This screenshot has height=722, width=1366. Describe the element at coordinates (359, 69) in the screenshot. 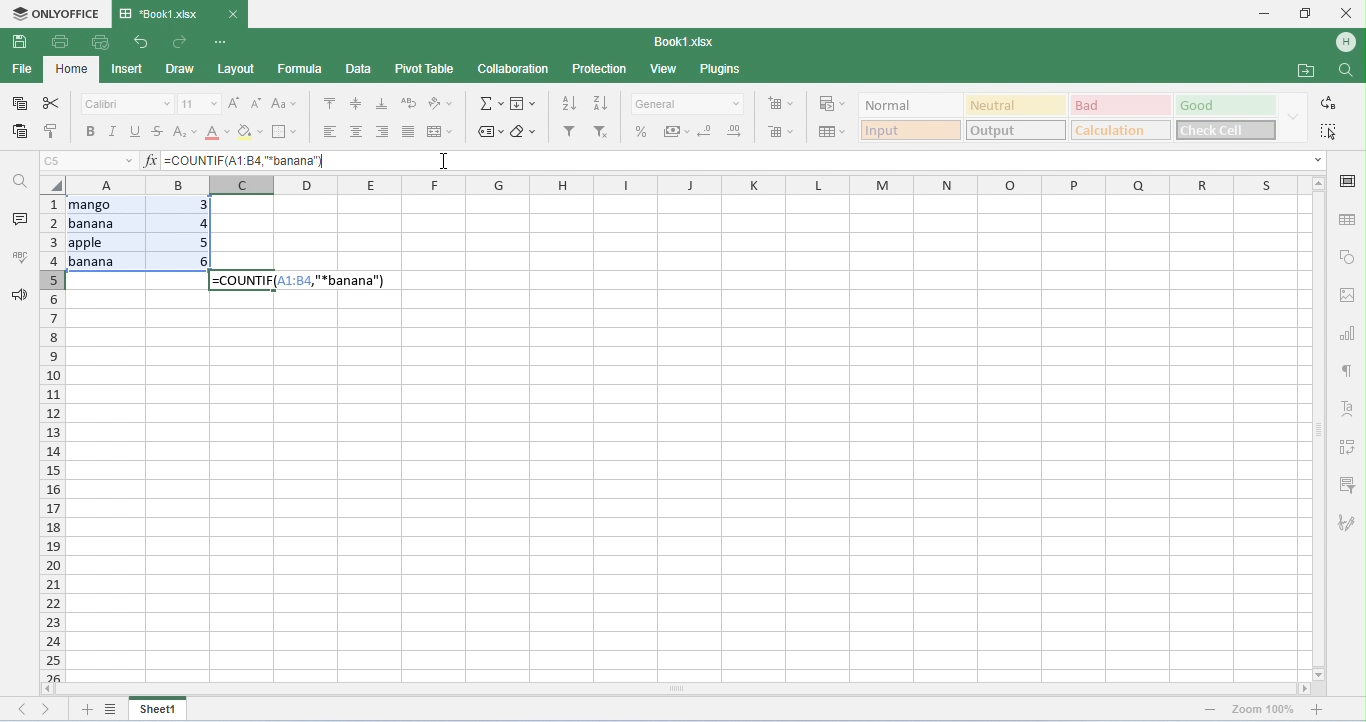

I see `data` at that location.